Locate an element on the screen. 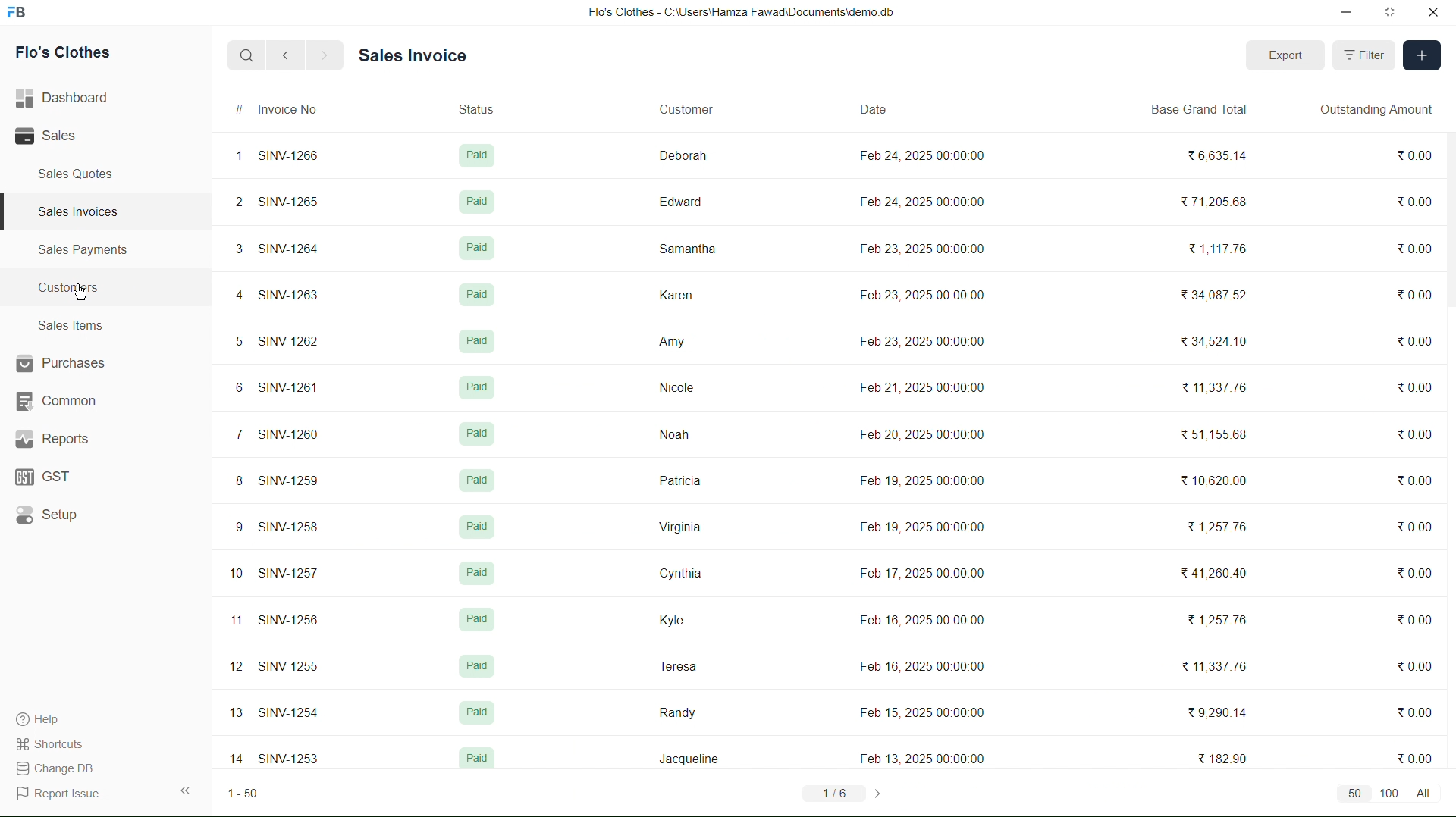  Feb 23, 2025 00:00:00 is located at coordinates (920, 246).